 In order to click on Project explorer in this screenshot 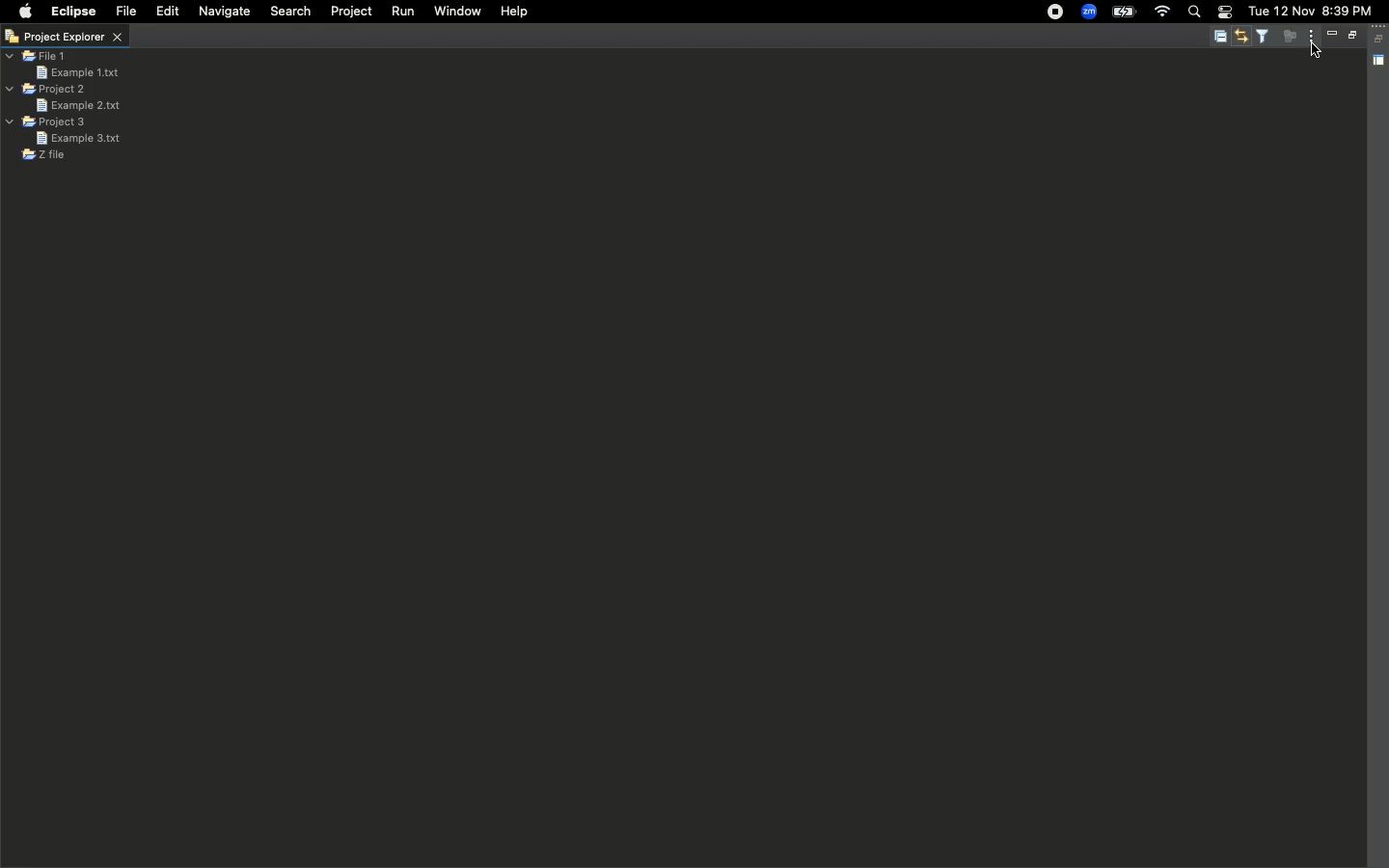, I will do `click(64, 38)`.